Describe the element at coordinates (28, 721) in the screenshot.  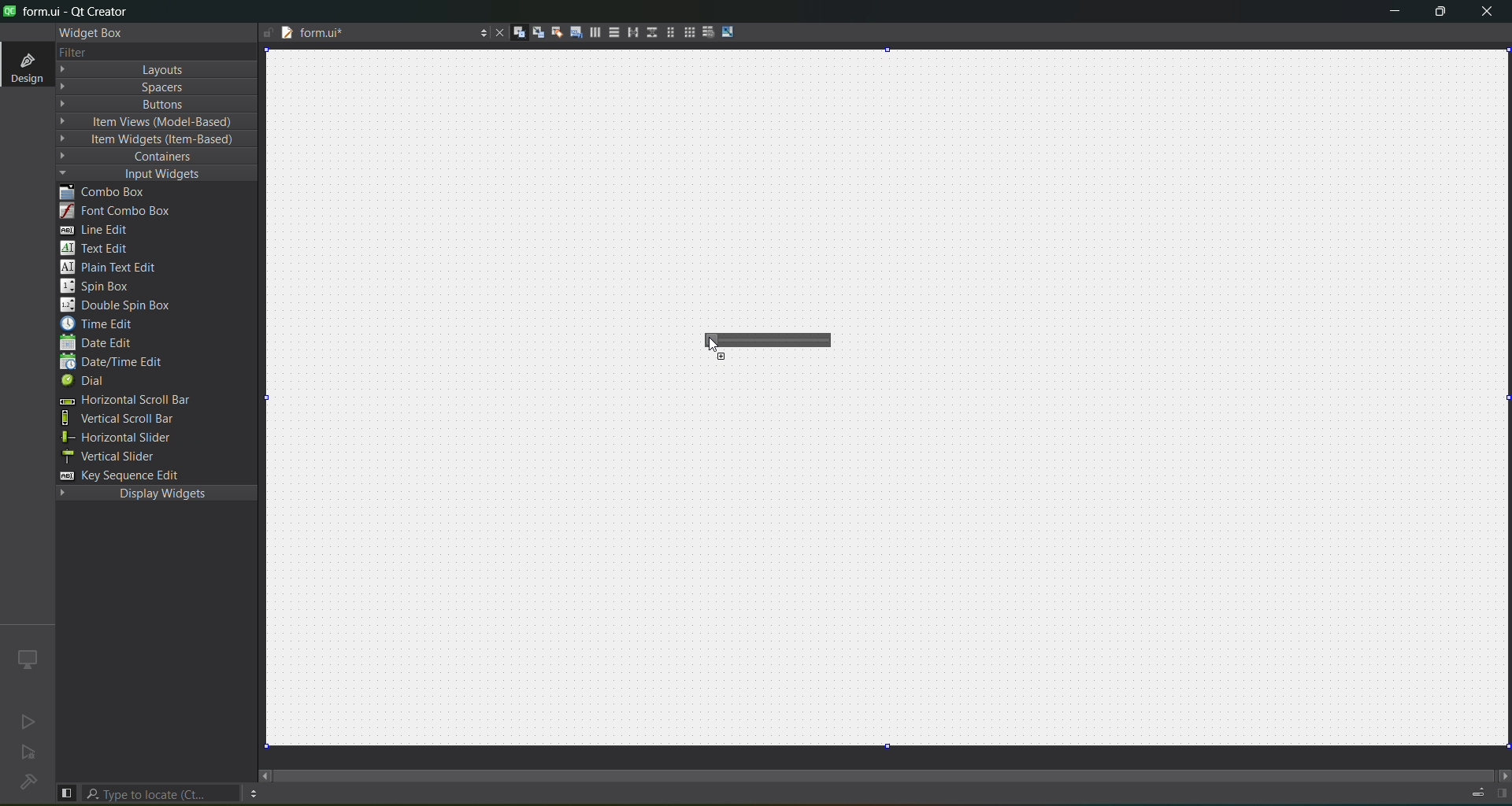
I see `no active project` at that location.